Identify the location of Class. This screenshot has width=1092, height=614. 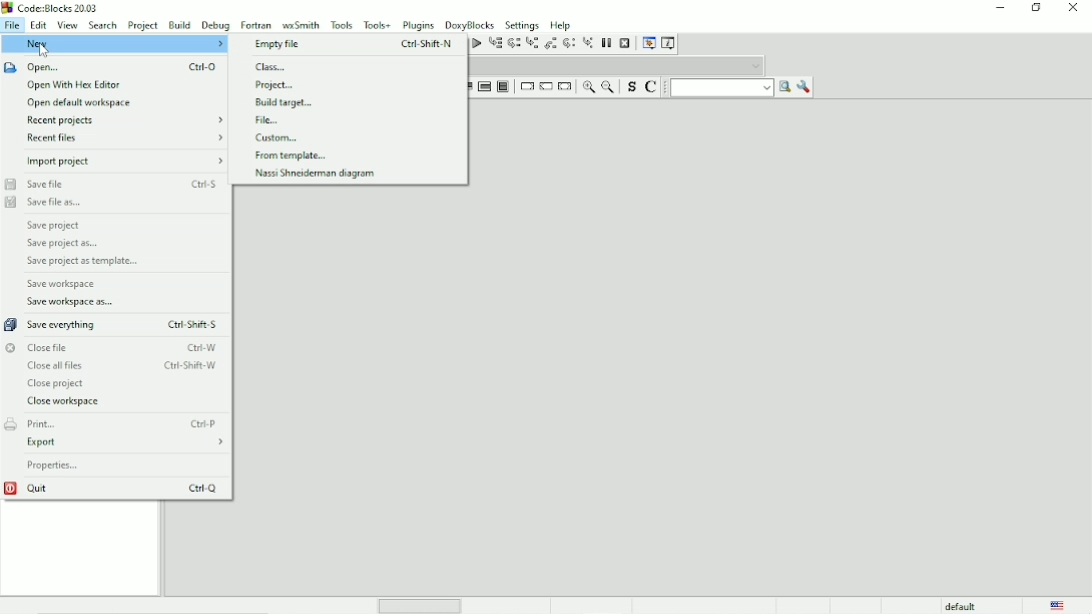
(273, 67).